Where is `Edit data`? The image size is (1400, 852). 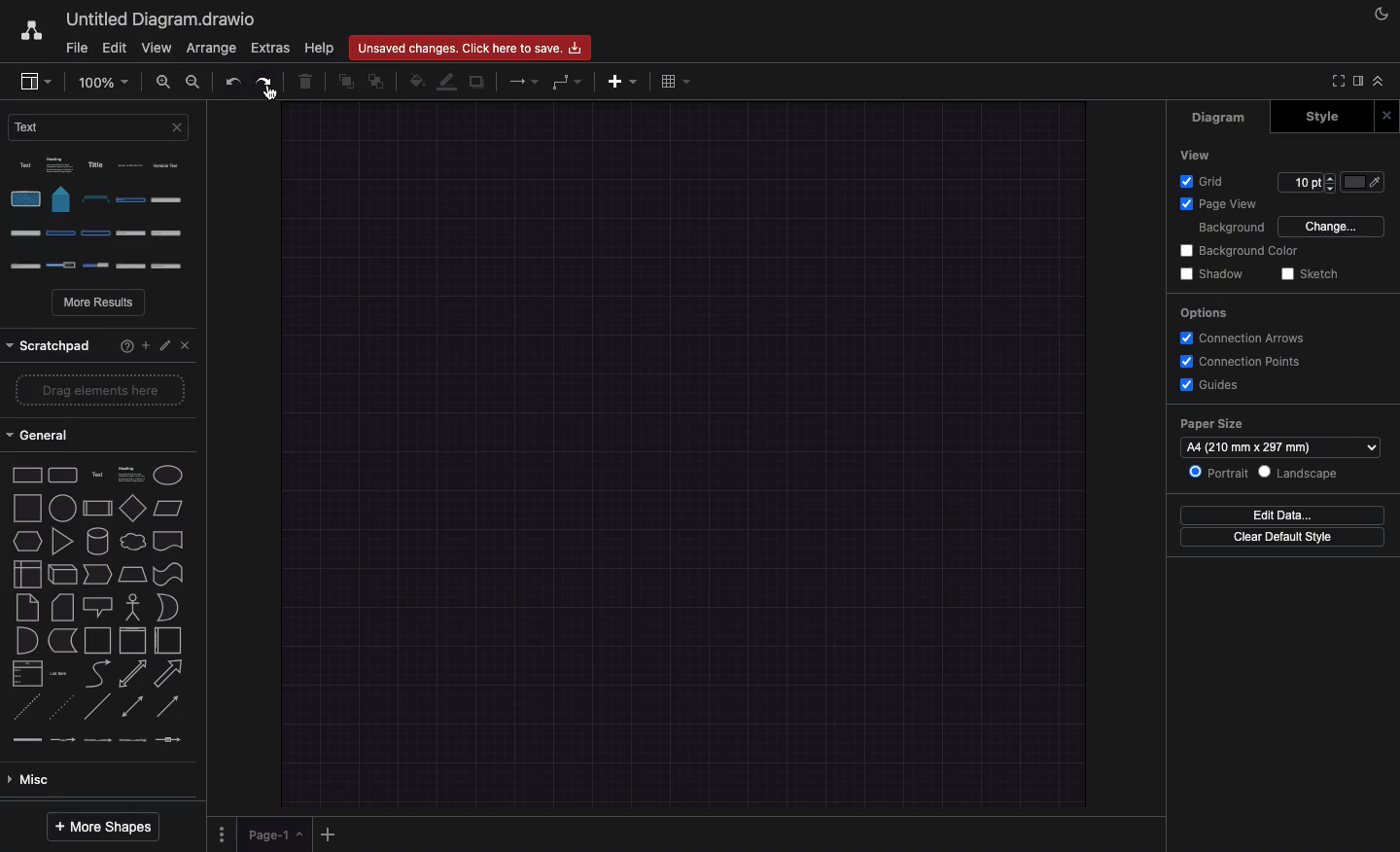
Edit data is located at coordinates (1281, 515).